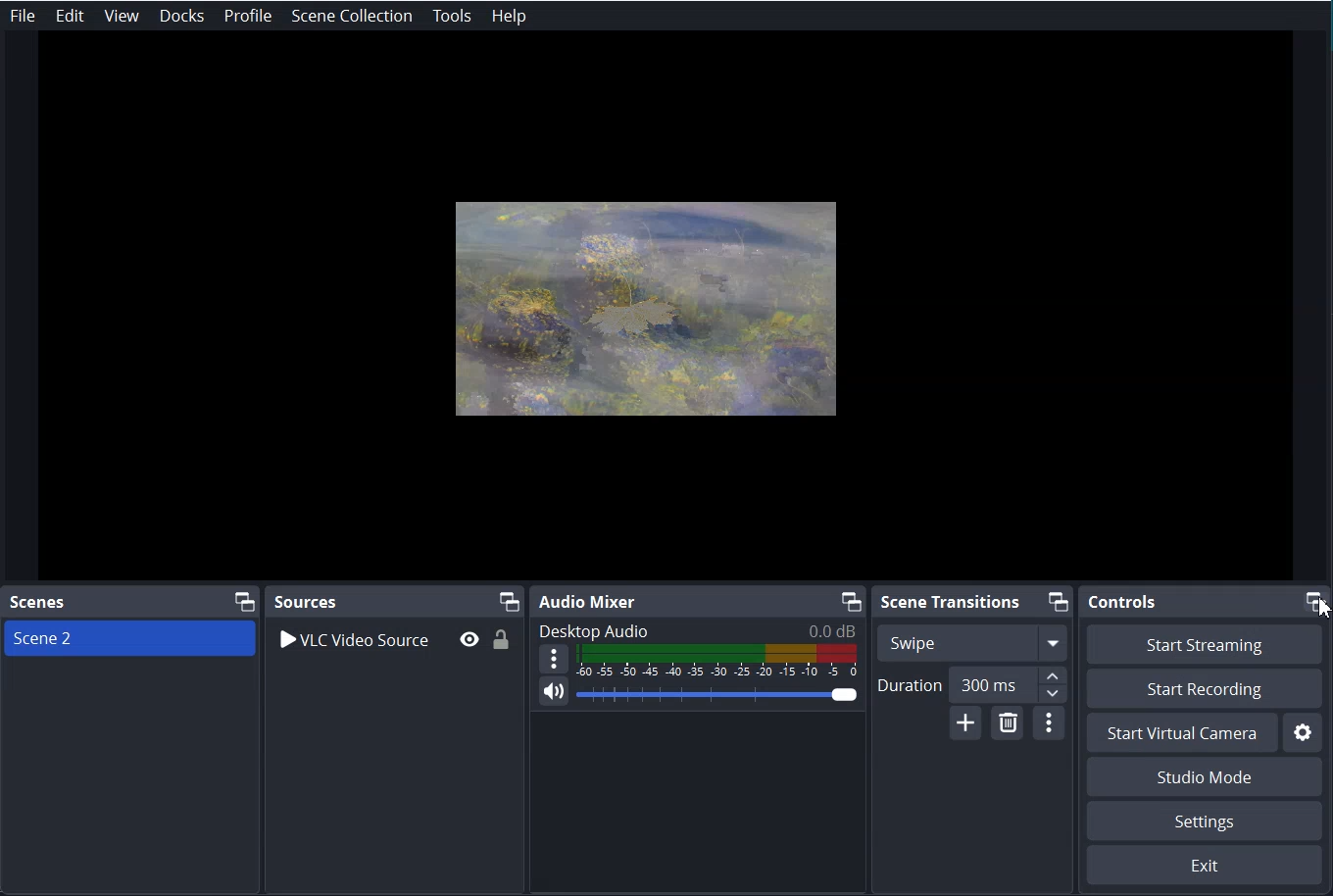  What do you see at coordinates (1059, 601) in the screenshot?
I see `Maximize` at bounding box center [1059, 601].